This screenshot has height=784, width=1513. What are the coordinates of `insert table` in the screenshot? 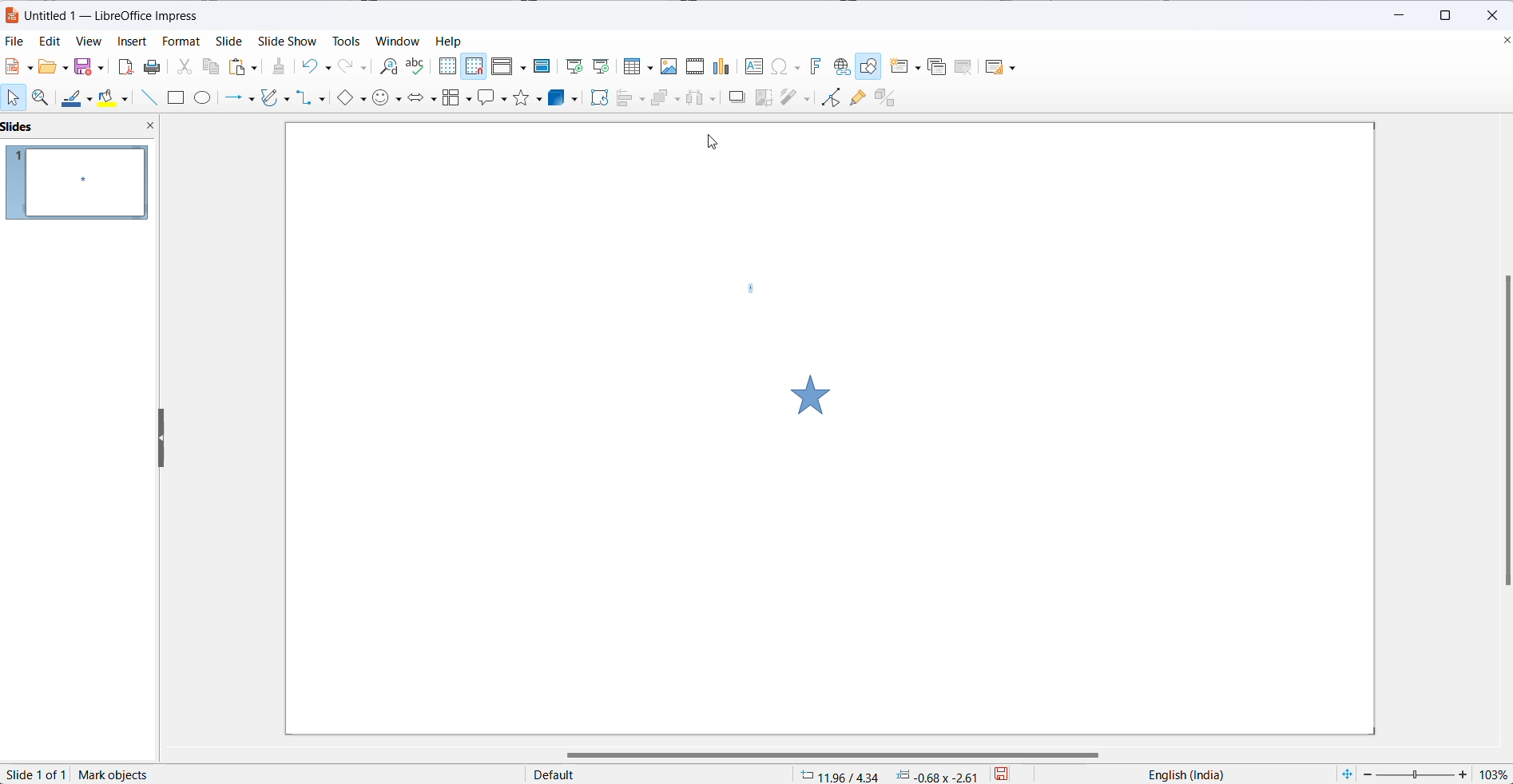 It's located at (636, 68).